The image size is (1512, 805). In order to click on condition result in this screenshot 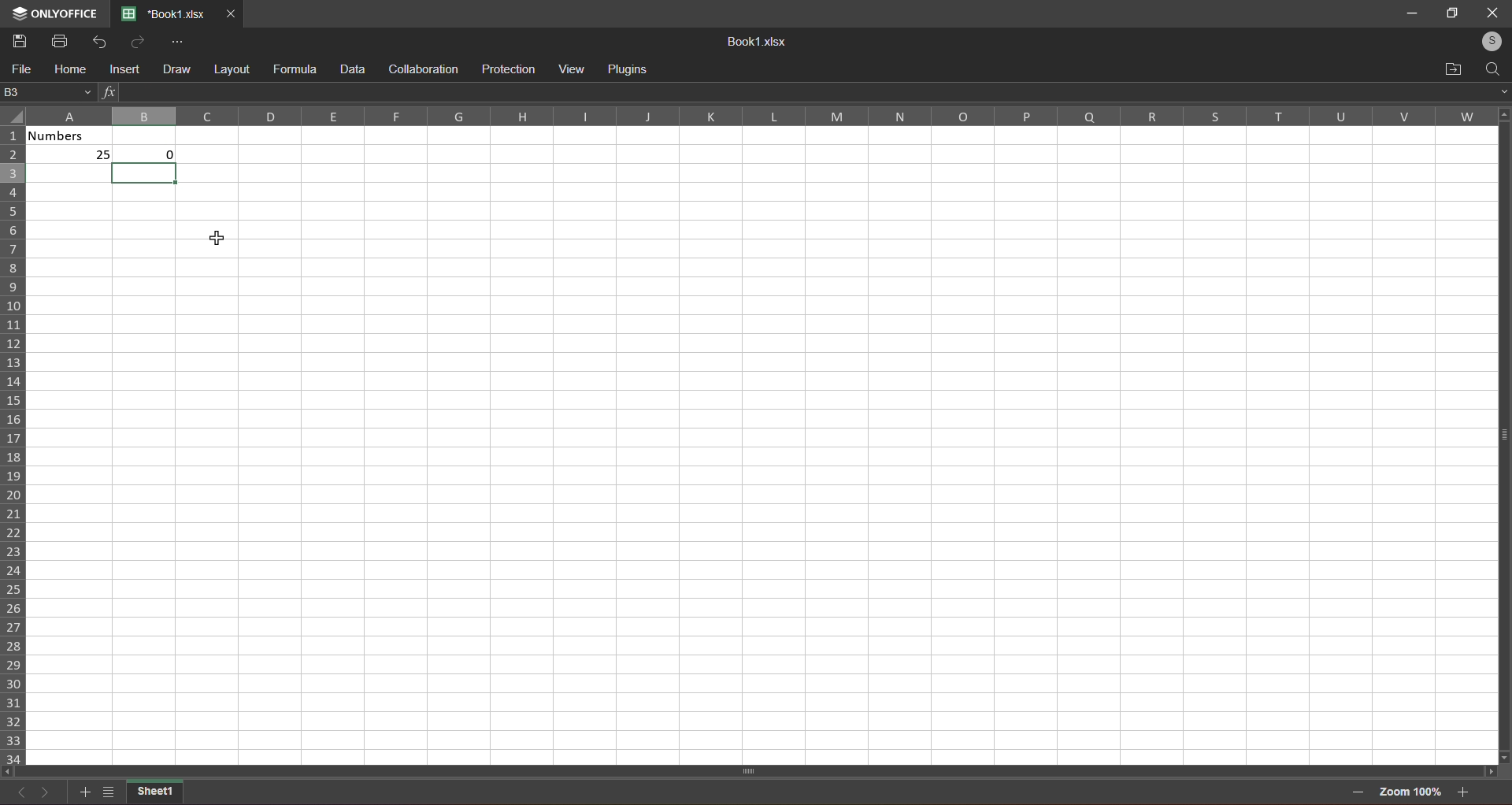, I will do `click(167, 151)`.